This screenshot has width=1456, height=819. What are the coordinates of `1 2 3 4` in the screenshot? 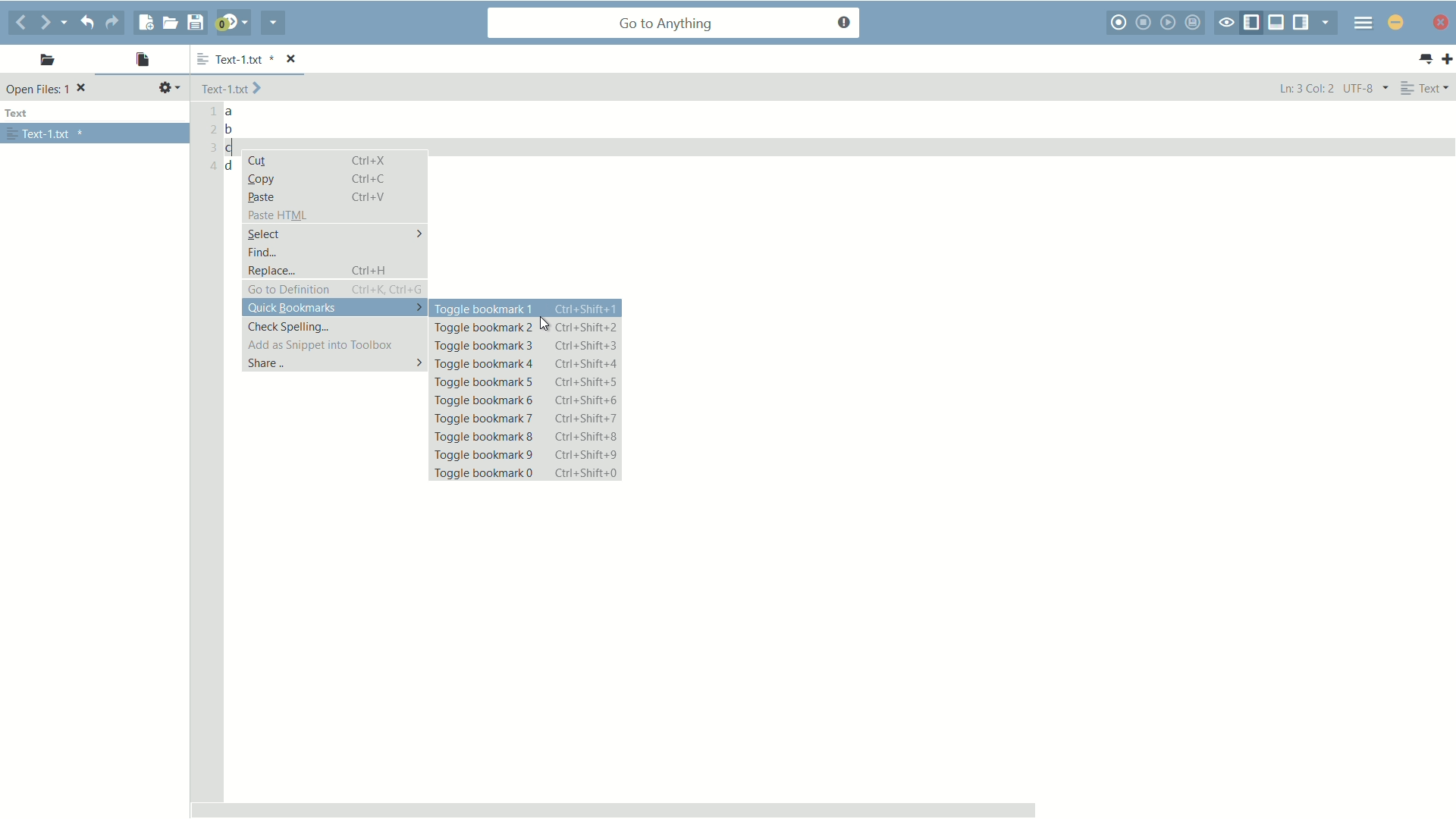 It's located at (209, 141).